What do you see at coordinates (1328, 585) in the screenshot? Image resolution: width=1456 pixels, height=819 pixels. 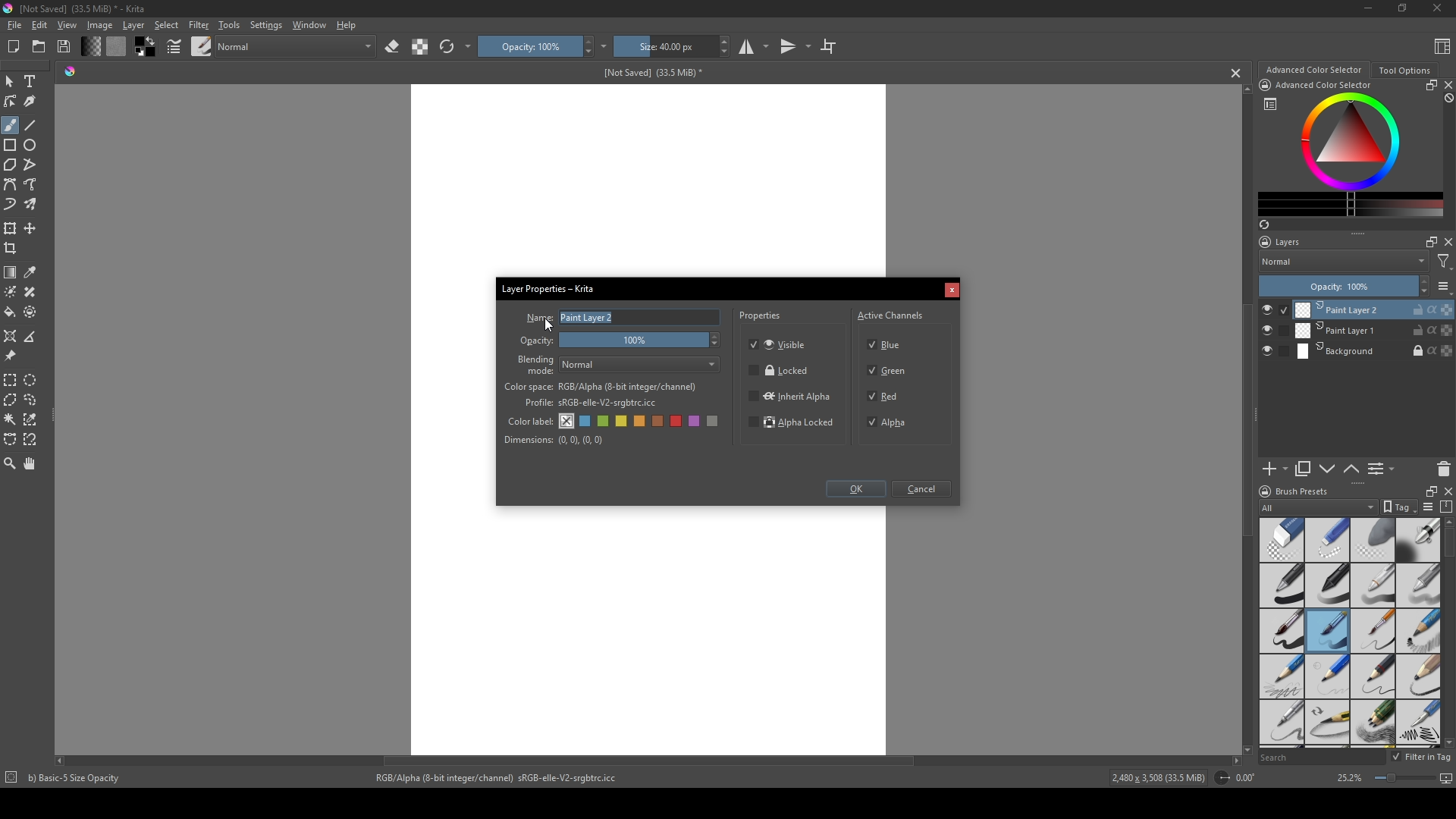 I see `black pen` at bounding box center [1328, 585].